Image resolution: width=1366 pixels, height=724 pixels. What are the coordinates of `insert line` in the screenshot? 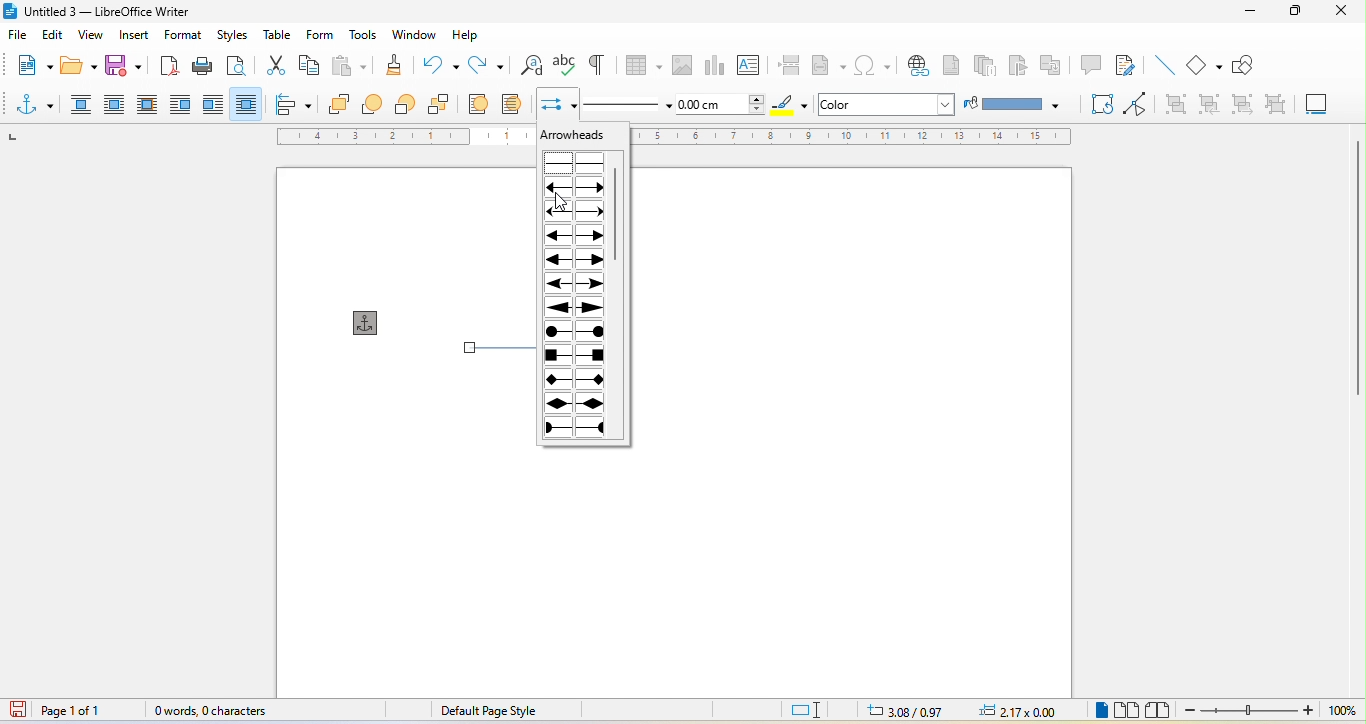 It's located at (1166, 66).